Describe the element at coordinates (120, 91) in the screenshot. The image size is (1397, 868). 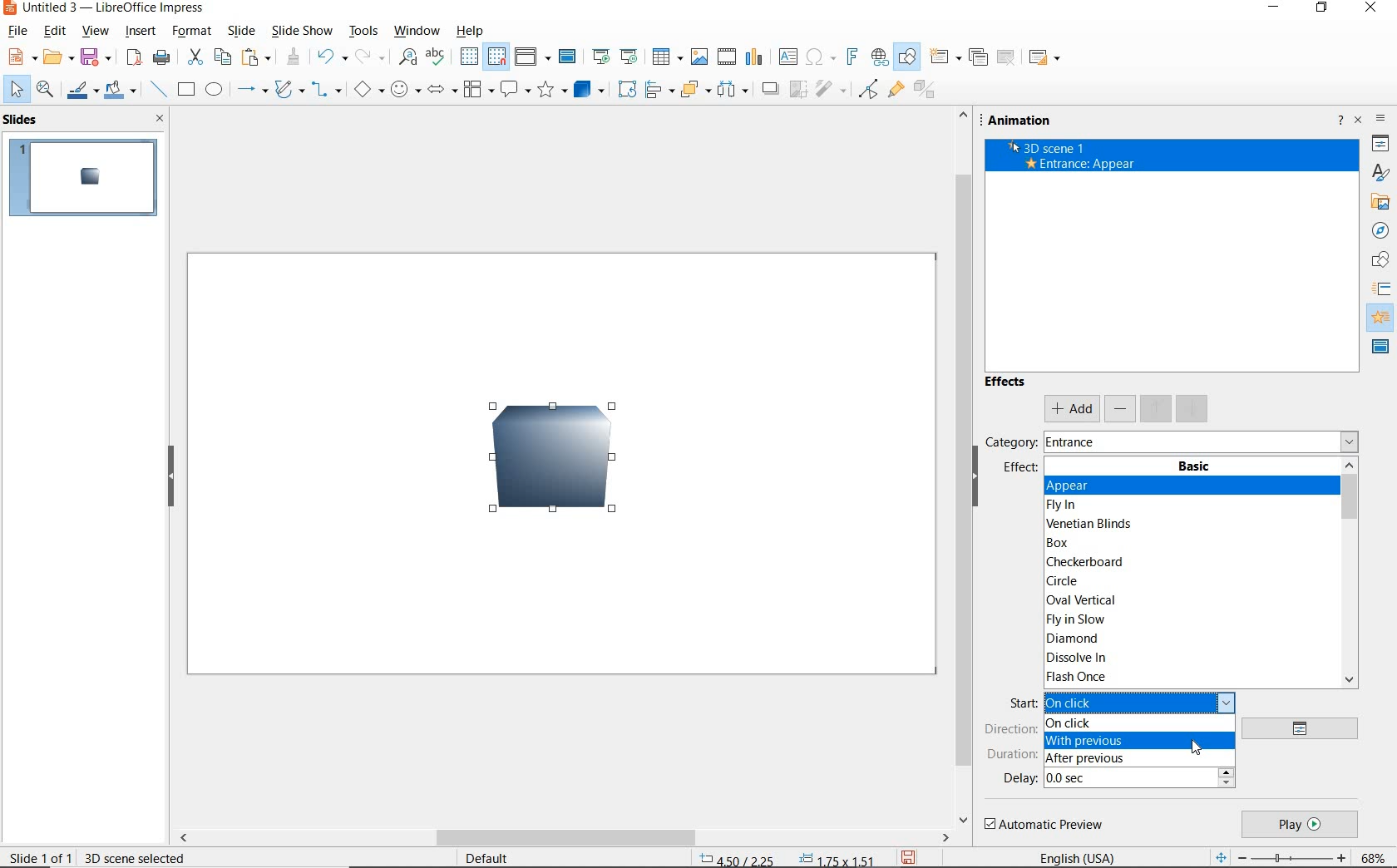
I see `fill color` at that location.